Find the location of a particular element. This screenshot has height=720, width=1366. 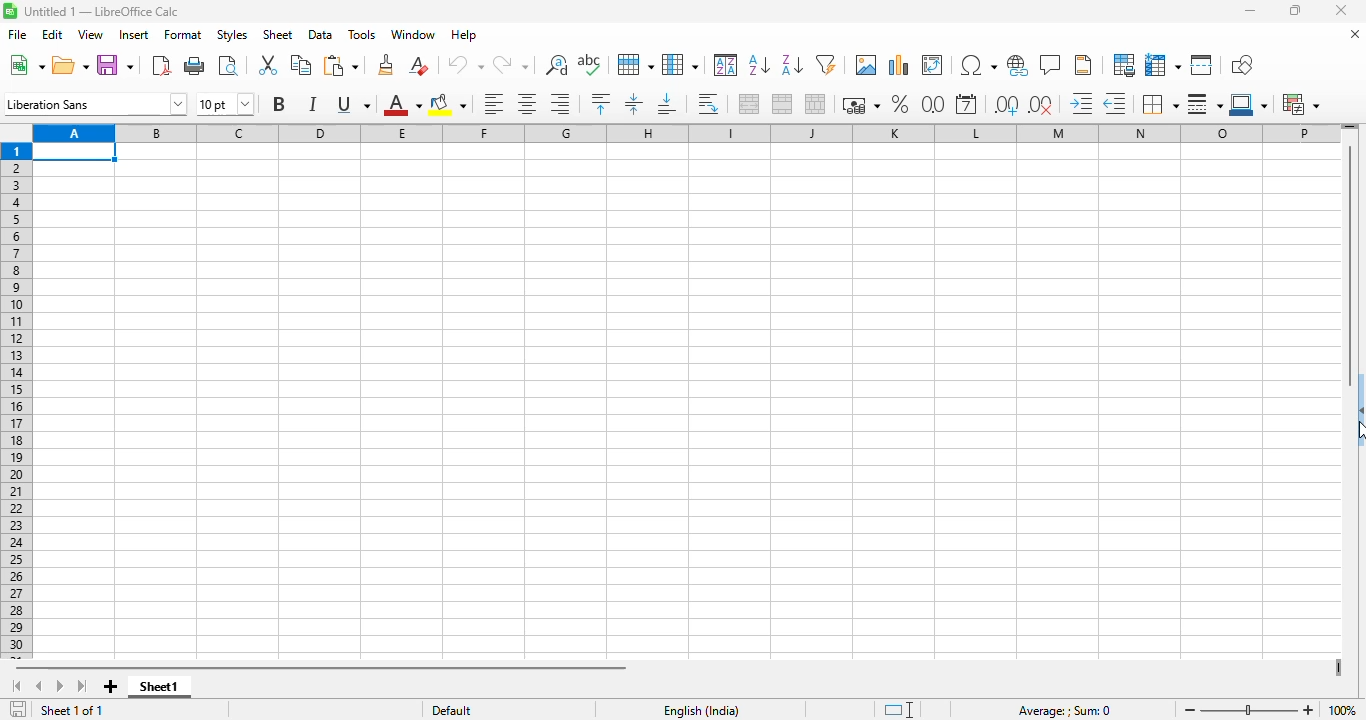

scroll to last sheet is located at coordinates (84, 687).